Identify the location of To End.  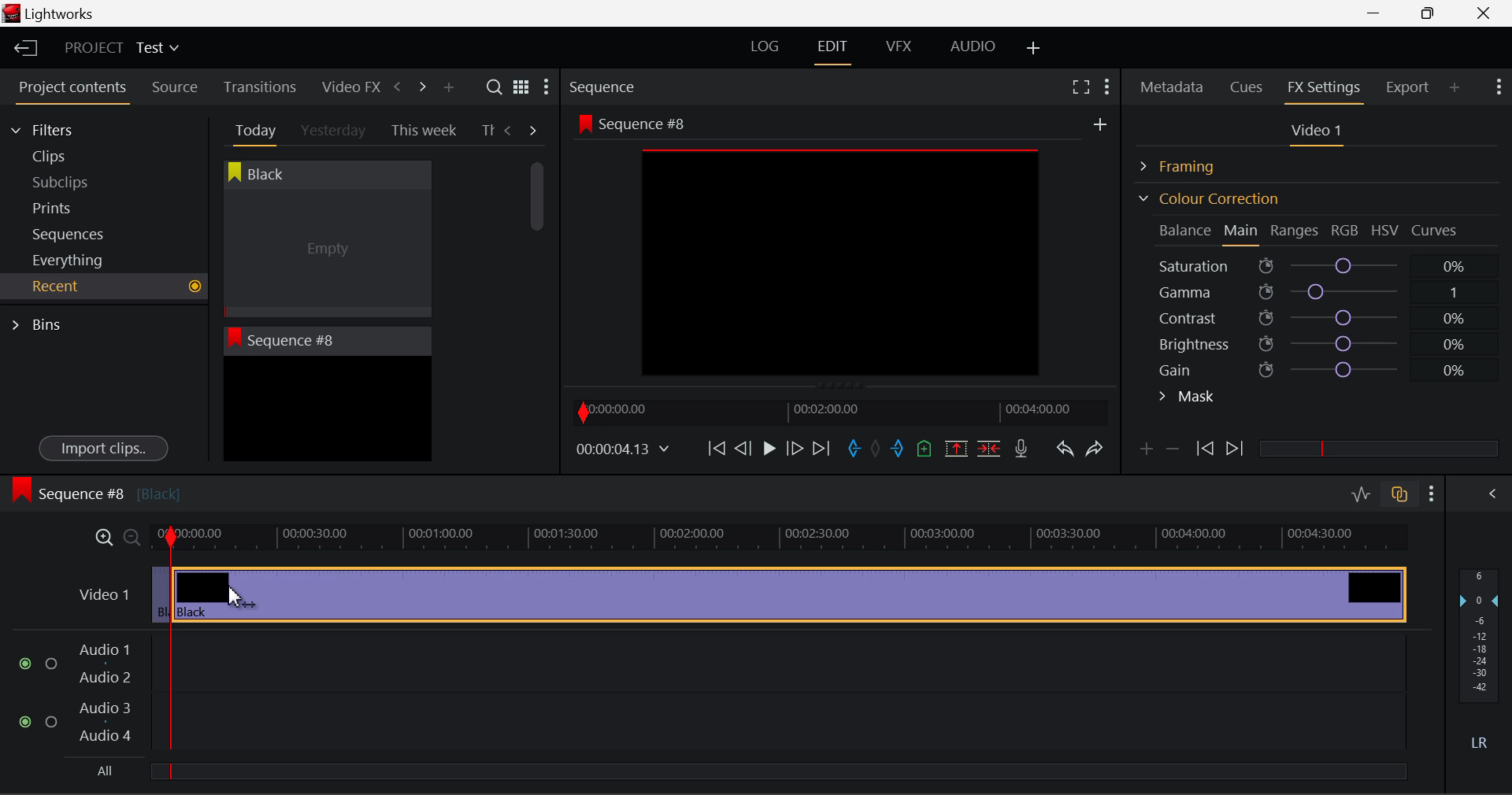
(821, 449).